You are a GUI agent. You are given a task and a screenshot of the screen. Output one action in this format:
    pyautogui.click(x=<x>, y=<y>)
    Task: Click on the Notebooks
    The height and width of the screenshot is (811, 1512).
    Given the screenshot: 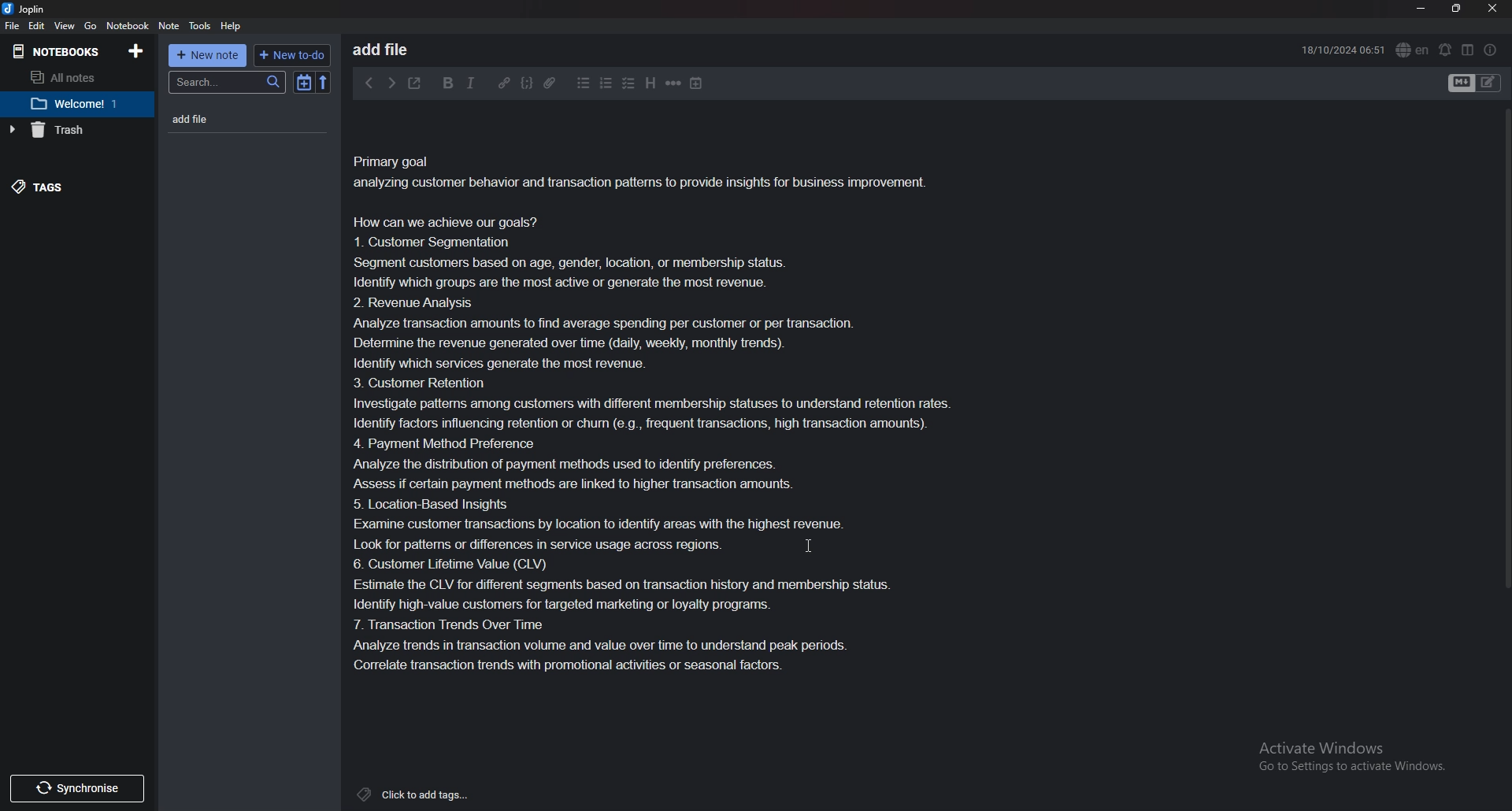 What is the action you would take?
    pyautogui.click(x=56, y=51)
    